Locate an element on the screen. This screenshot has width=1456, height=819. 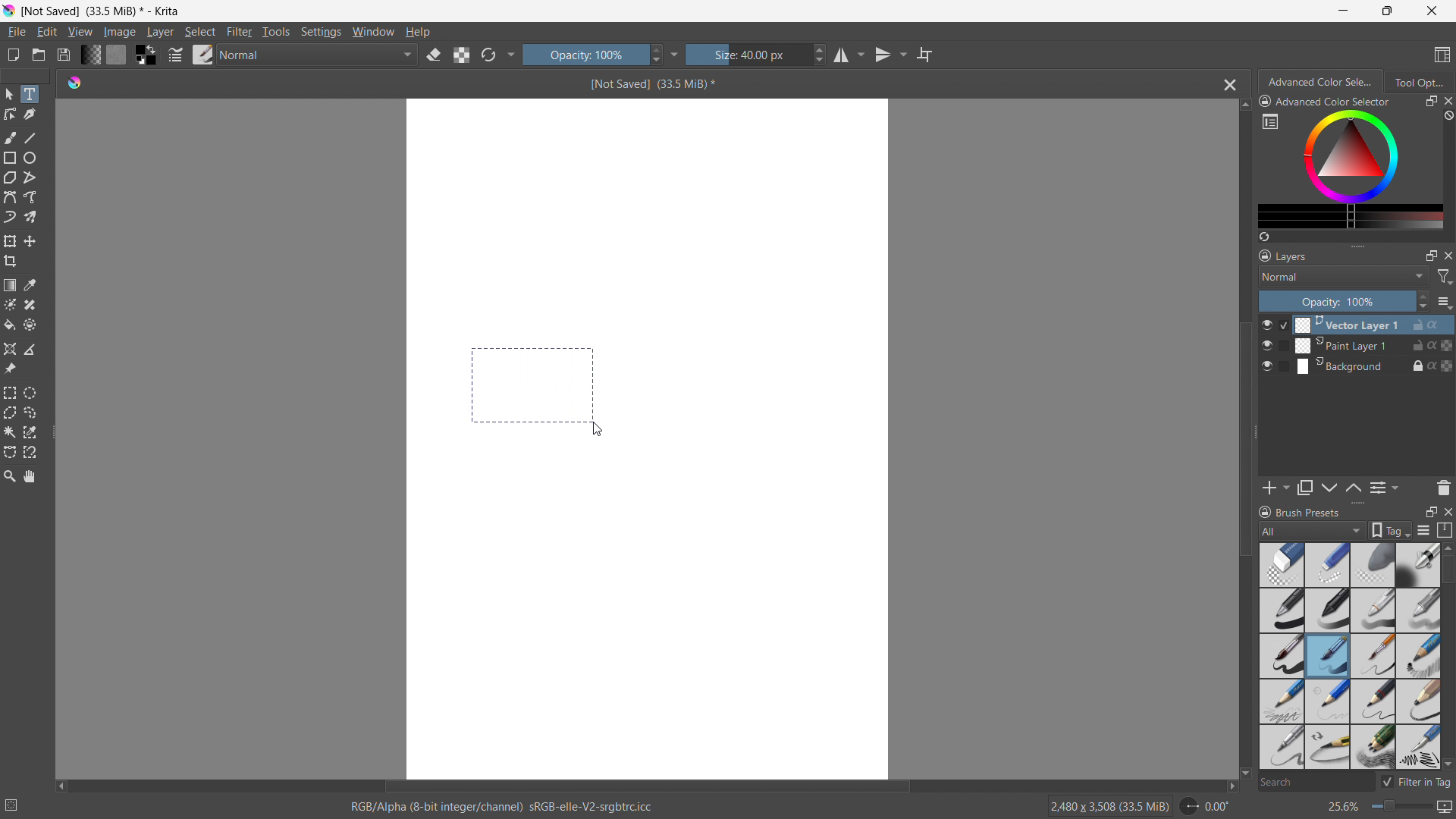
close document is located at coordinates (1226, 85).